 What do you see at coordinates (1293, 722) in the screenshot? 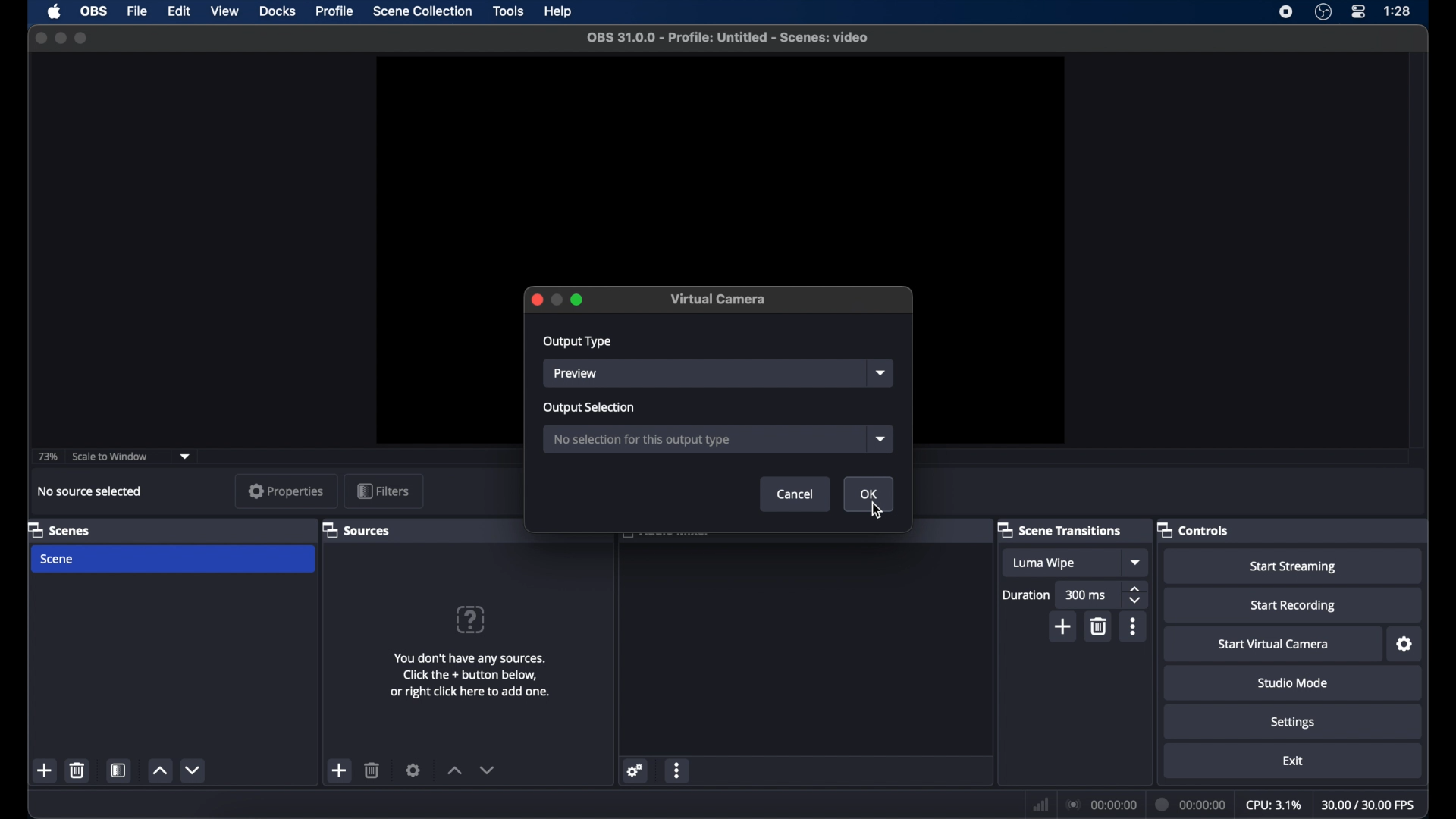
I see `settings` at bounding box center [1293, 722].